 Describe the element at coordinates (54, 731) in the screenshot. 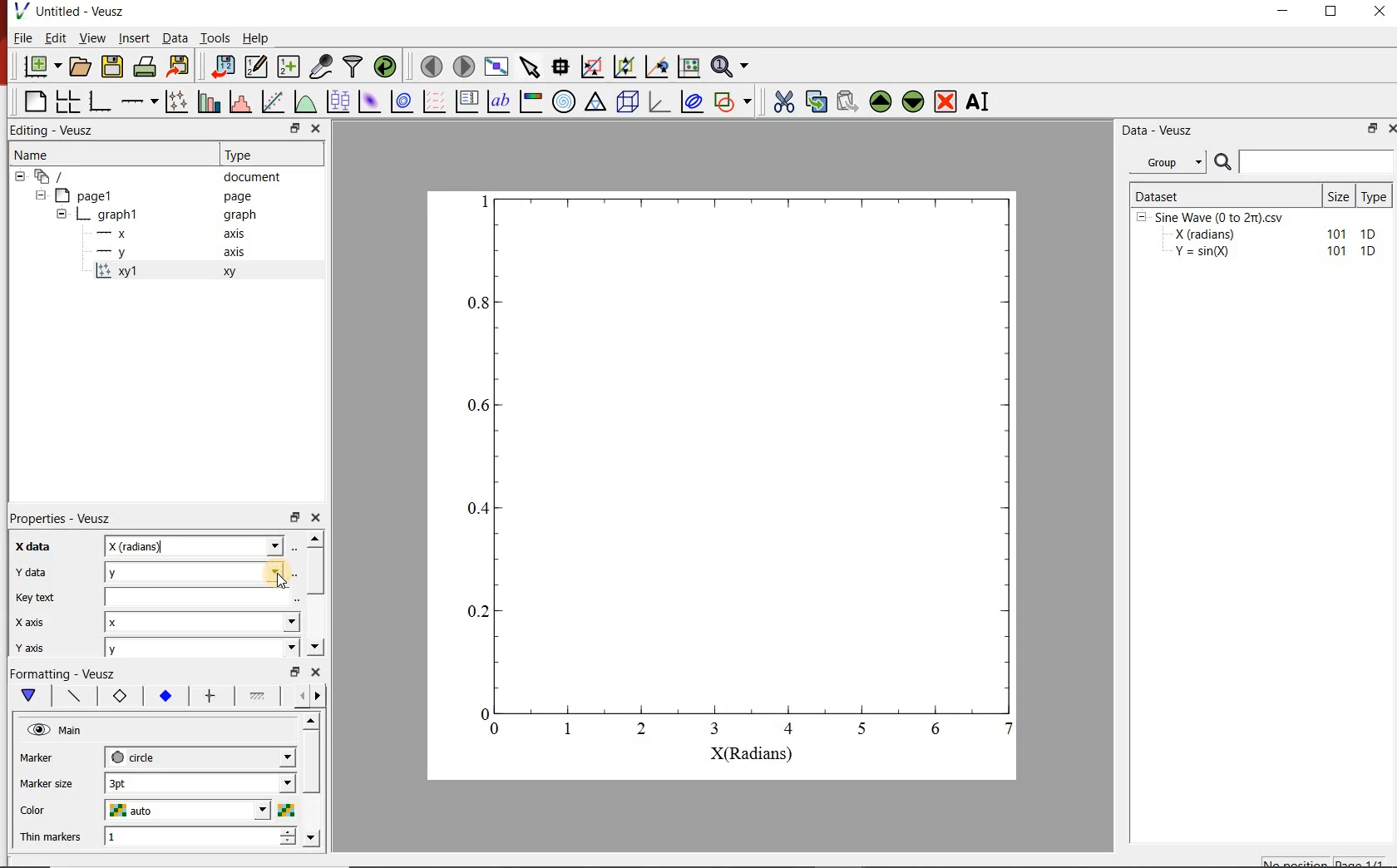

I see `@ main` at that location.